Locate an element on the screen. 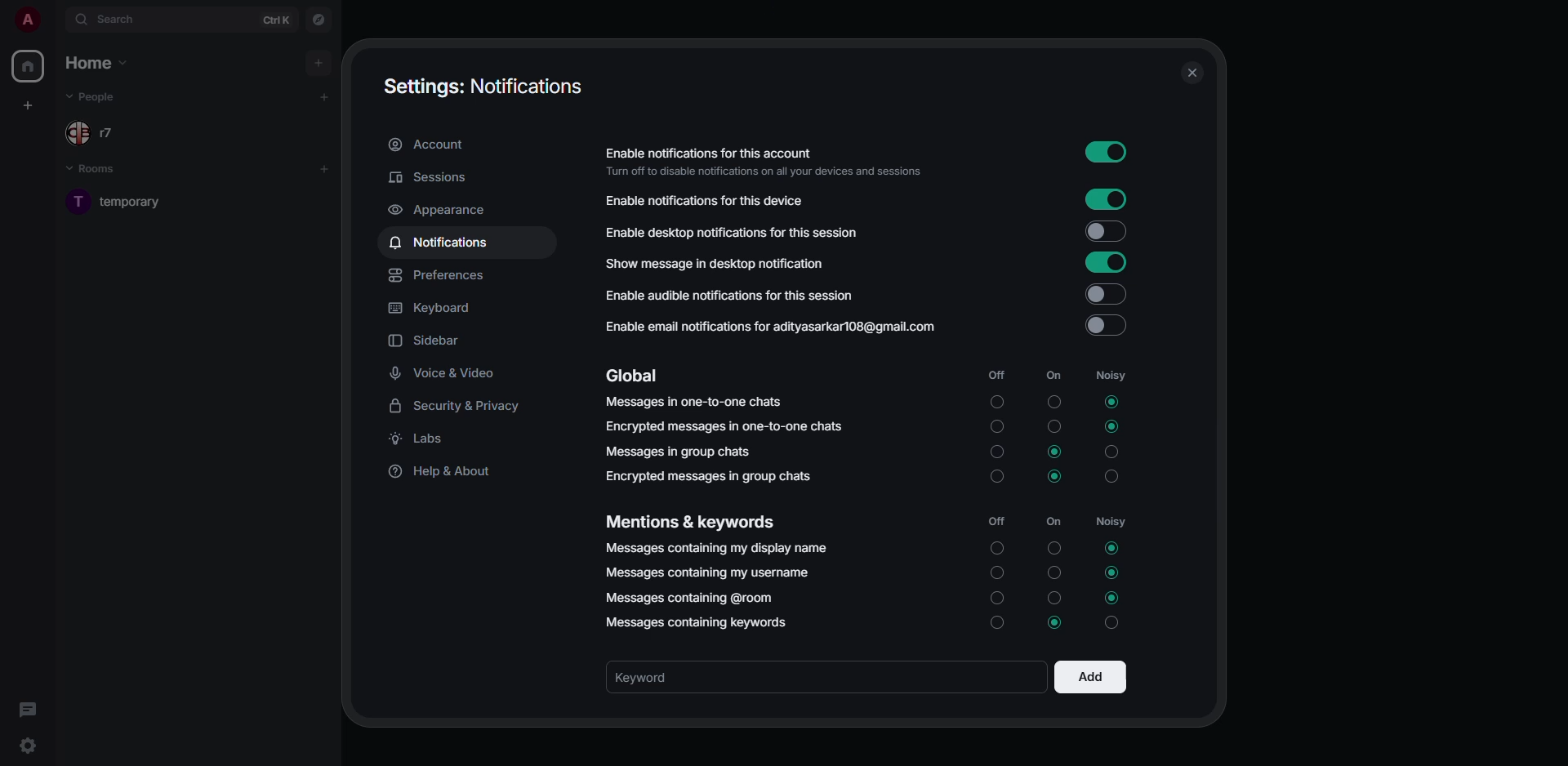 The image size is (1568, 766). selected is located at coordinates (1113, 572).